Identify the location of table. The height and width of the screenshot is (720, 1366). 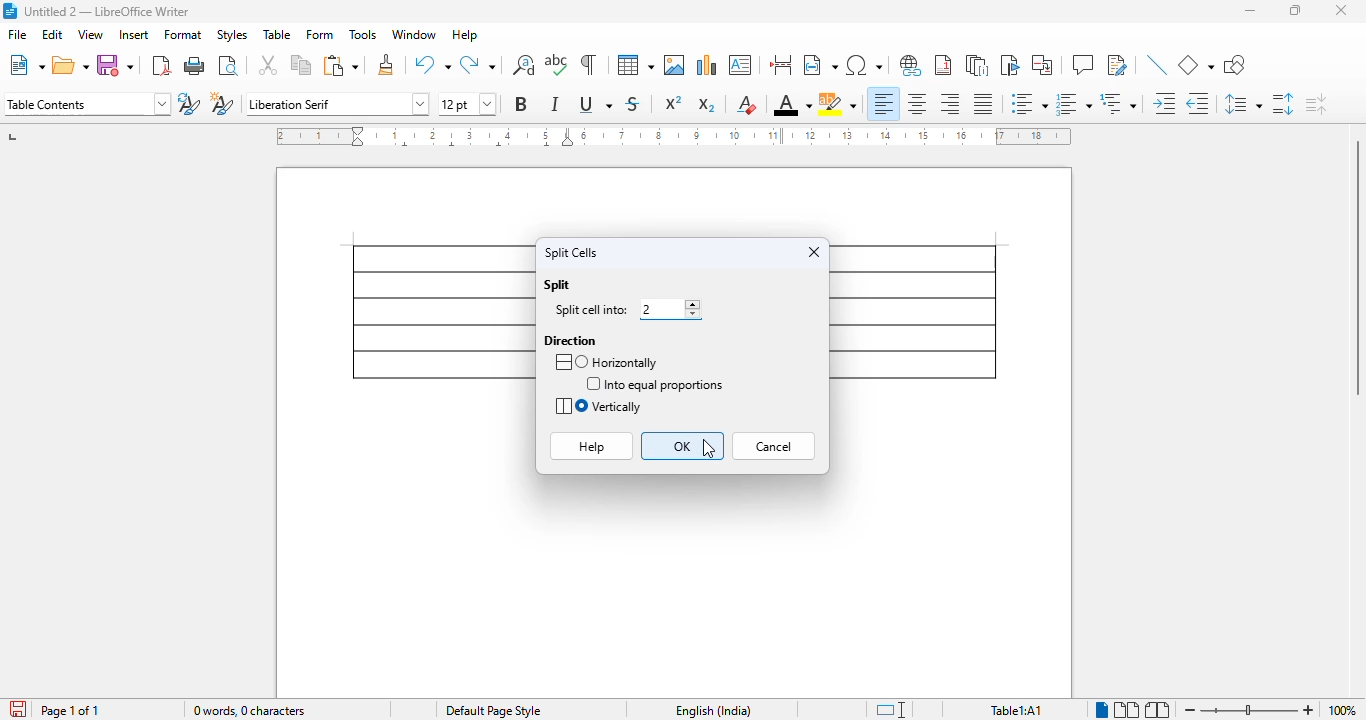
(635, 65).